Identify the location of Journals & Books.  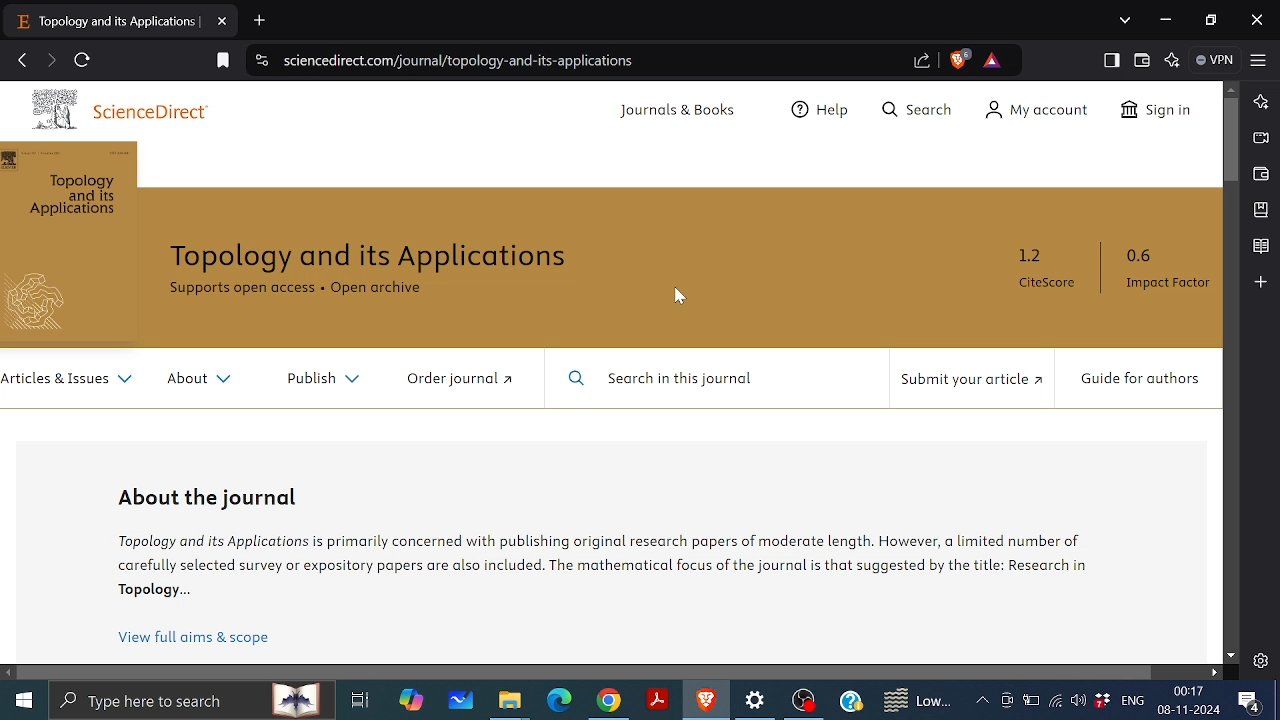
(681, 112).